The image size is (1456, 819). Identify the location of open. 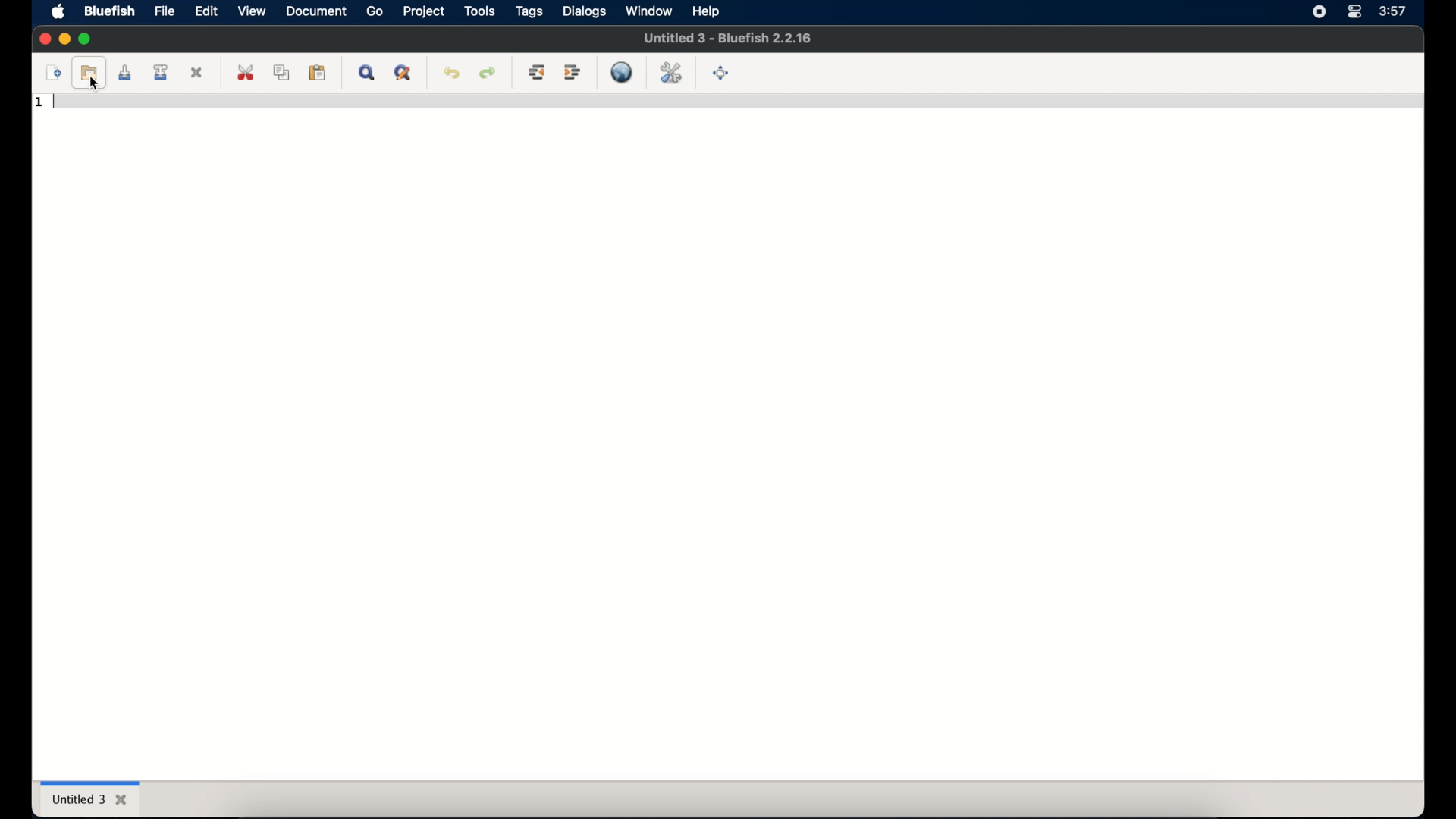
(87, 71).